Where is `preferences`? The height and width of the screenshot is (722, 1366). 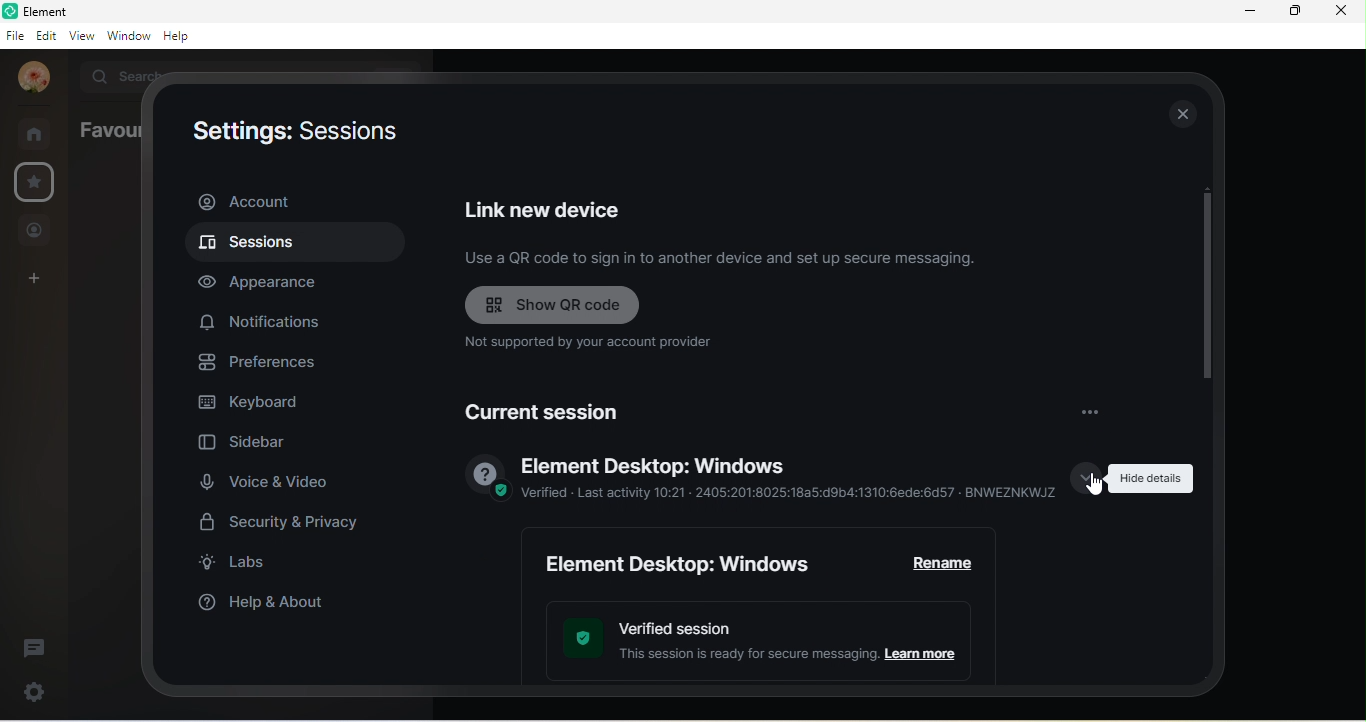
preferences is located at coordinates (267, 364).